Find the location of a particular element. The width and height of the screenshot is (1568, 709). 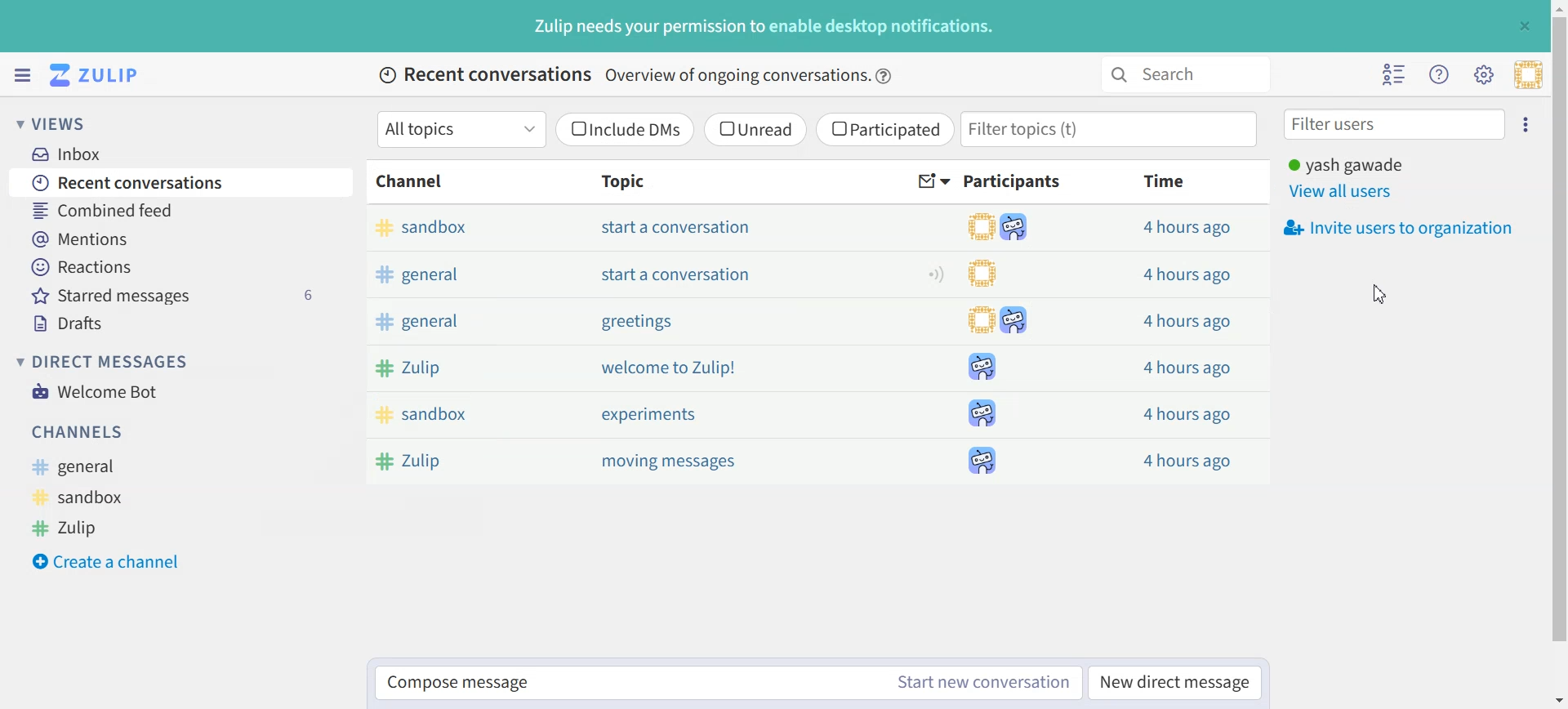

experiments is located at coordinates (648, 414).